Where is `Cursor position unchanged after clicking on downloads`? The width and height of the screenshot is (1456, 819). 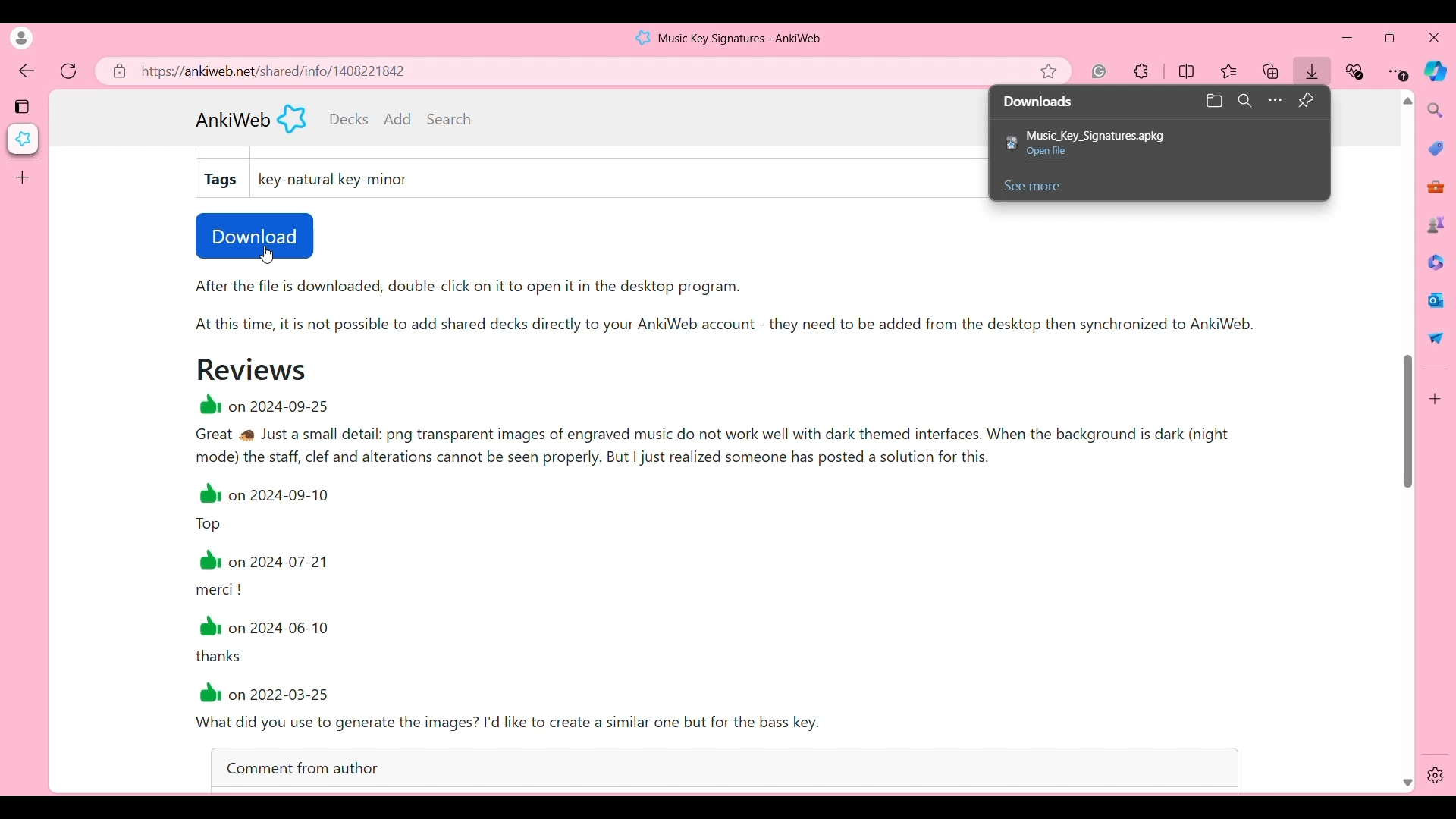
Cursor position unchanged after clicking on downloads is located at coordinates (267, 255).